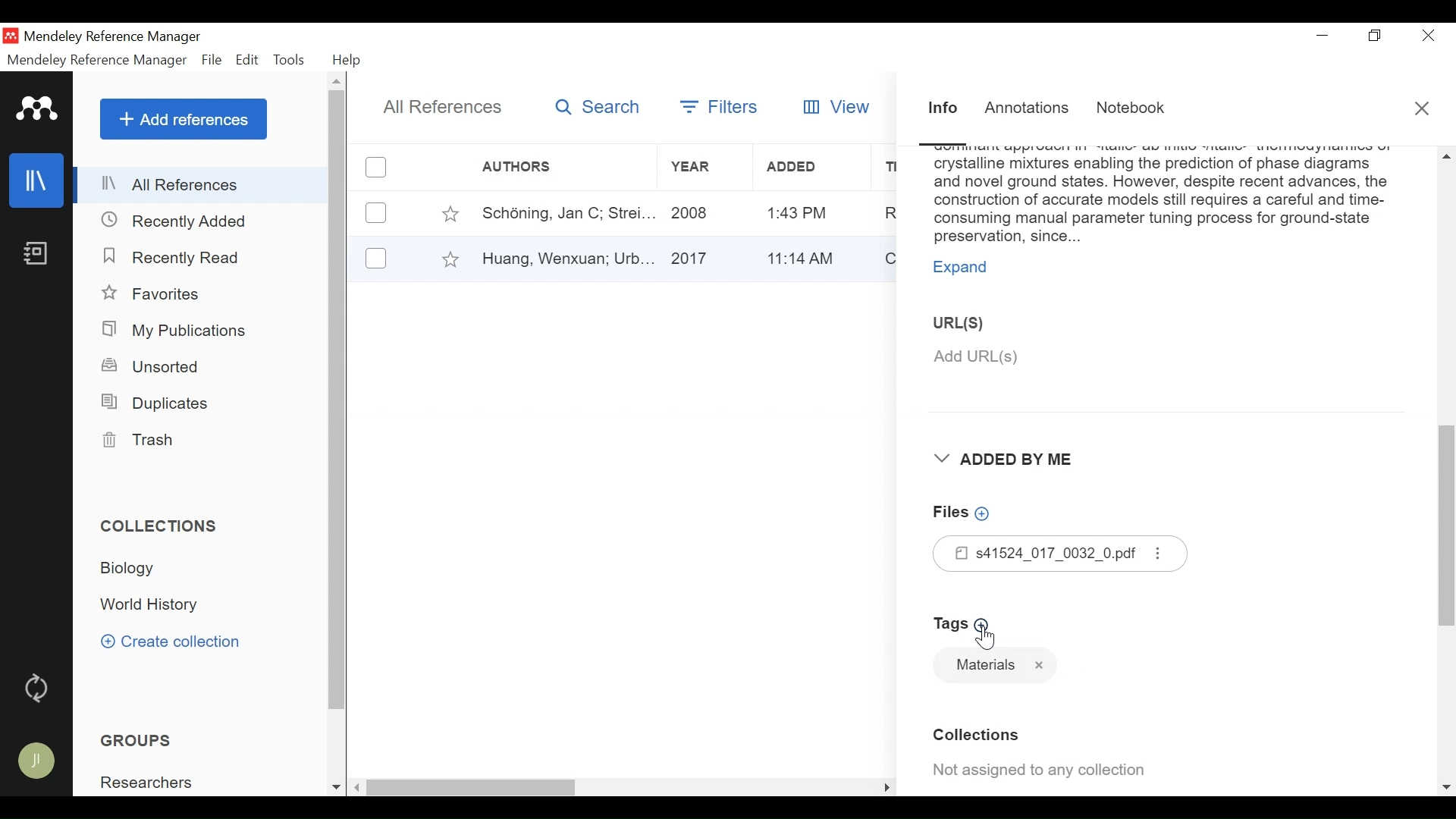 The height and width of the screenshot is (819, 1456). I want to click on Trash, so click(136, 440).